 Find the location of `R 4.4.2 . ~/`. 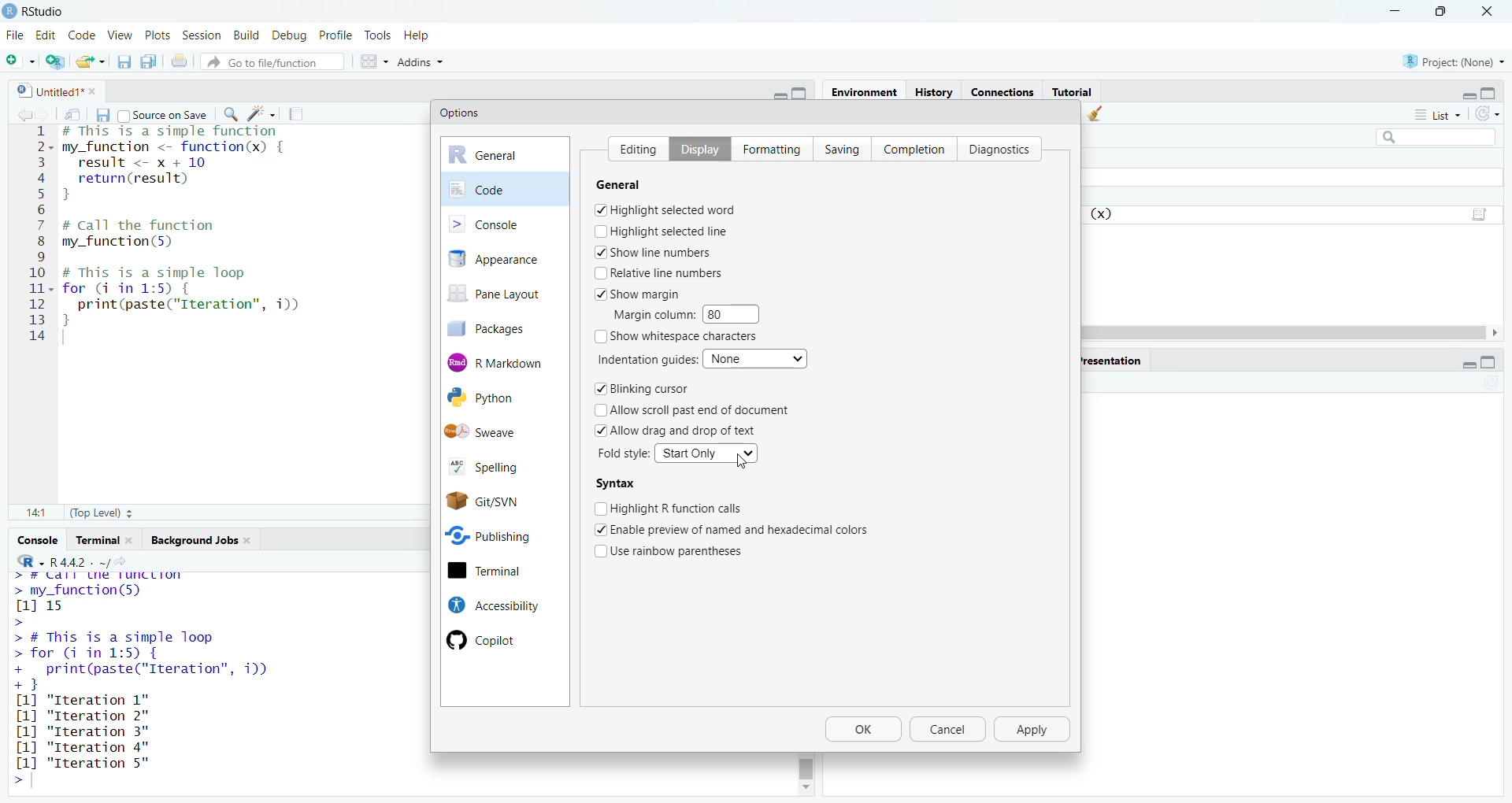

R 4.4.2 . ~/ is located at coordinates (80, 561).